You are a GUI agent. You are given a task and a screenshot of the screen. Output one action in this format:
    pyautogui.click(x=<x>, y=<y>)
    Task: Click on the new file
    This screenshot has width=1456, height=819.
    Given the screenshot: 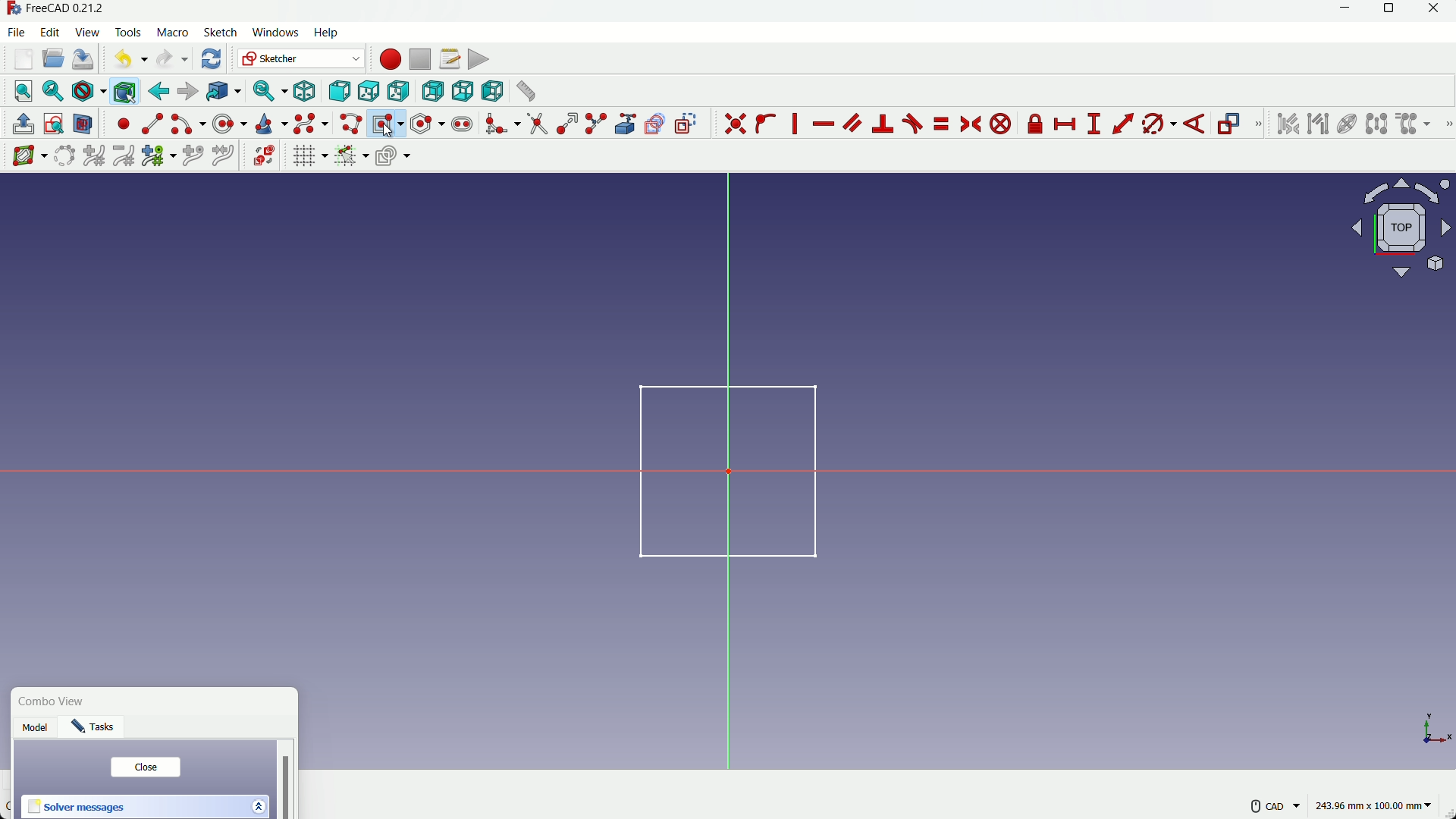 What is the action you would take?
    pyautogui.click(x=24, y=59)
    